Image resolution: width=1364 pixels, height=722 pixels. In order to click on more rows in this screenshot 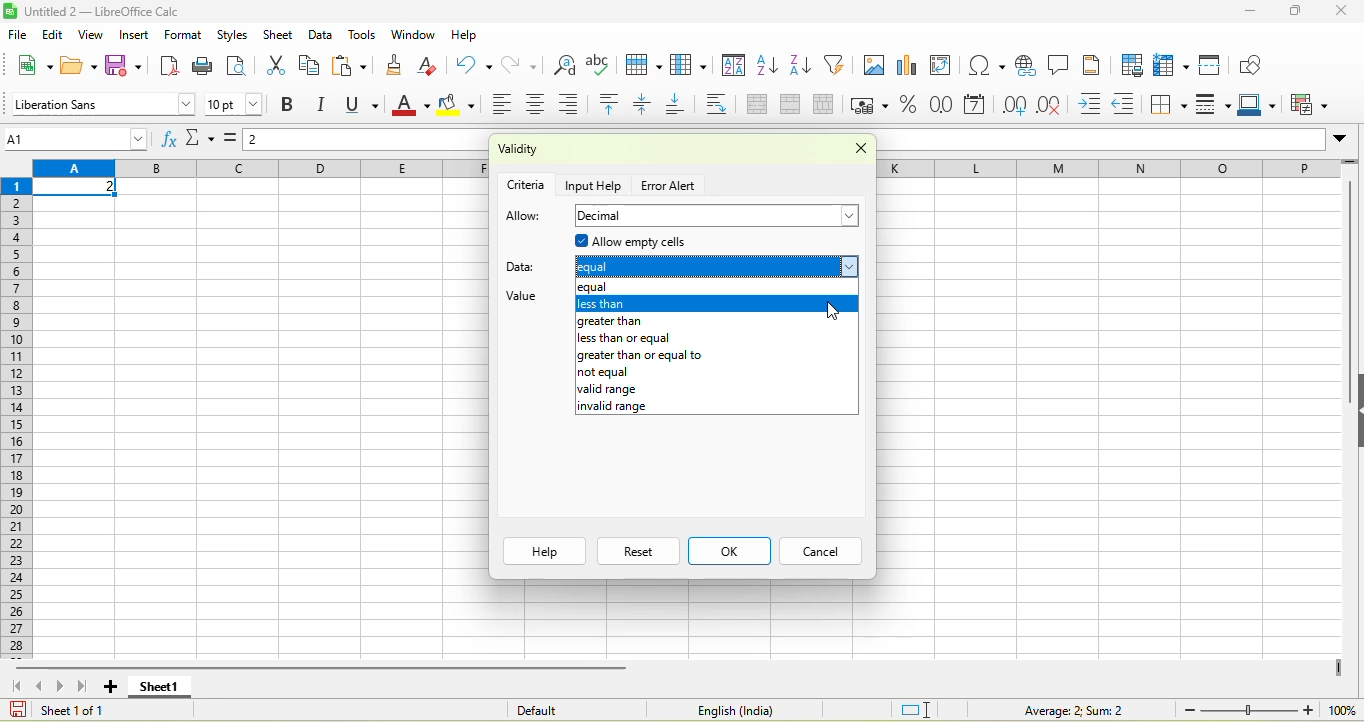, I will do `click(1351, 166)`.